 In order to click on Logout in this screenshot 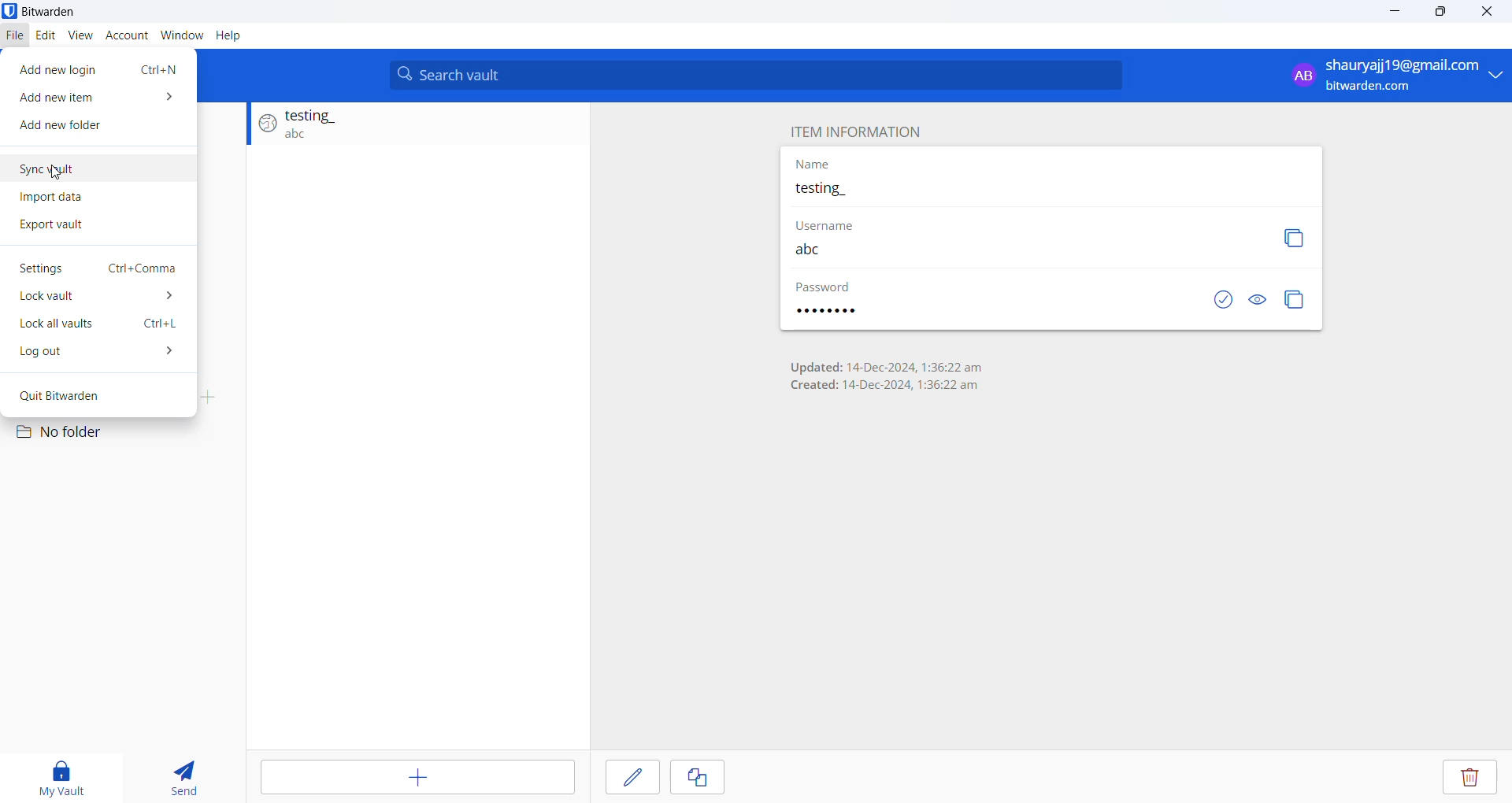, I will do `click(97, 354)`.